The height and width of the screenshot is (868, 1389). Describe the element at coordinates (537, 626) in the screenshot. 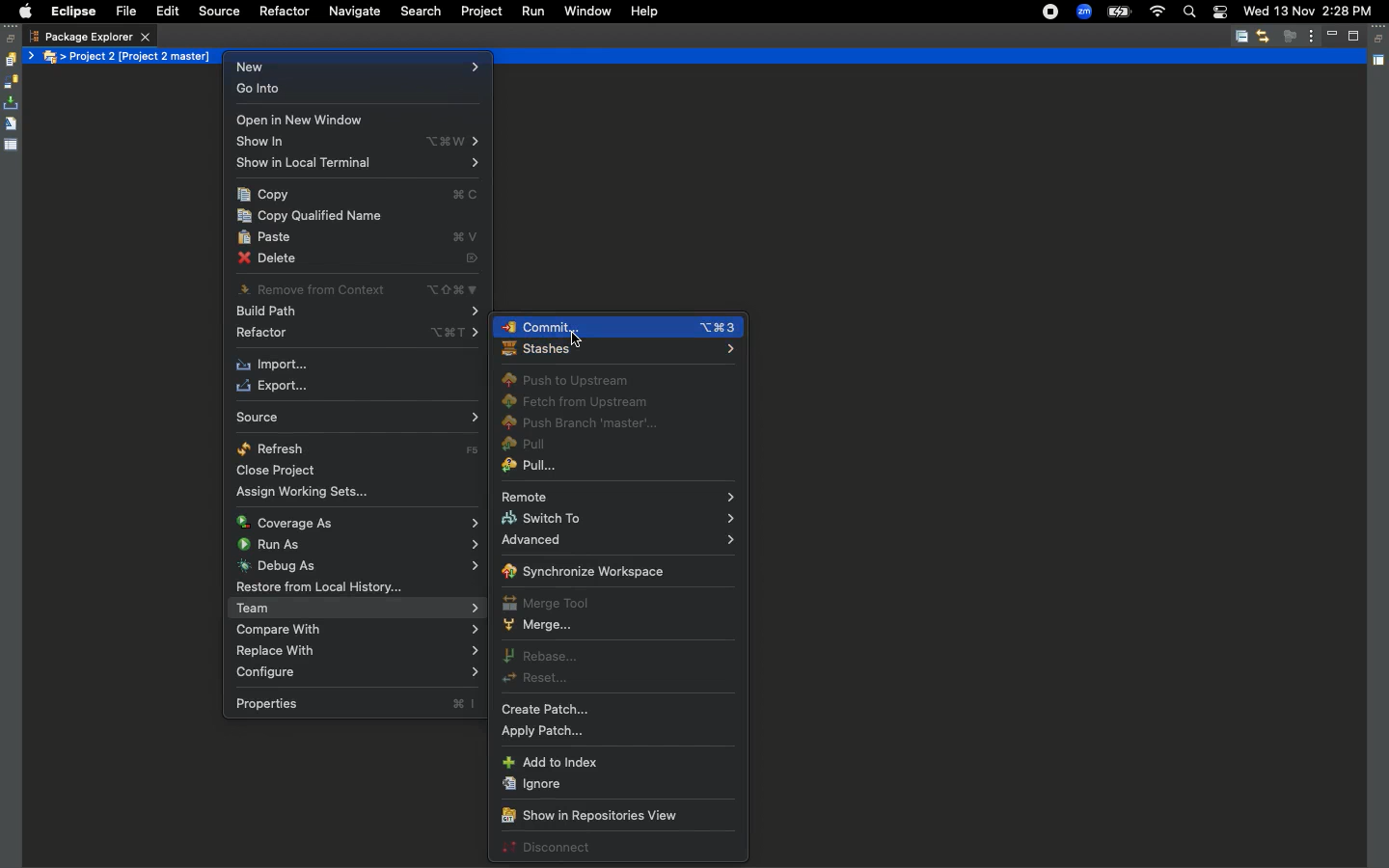

I see `Merge` at that location.